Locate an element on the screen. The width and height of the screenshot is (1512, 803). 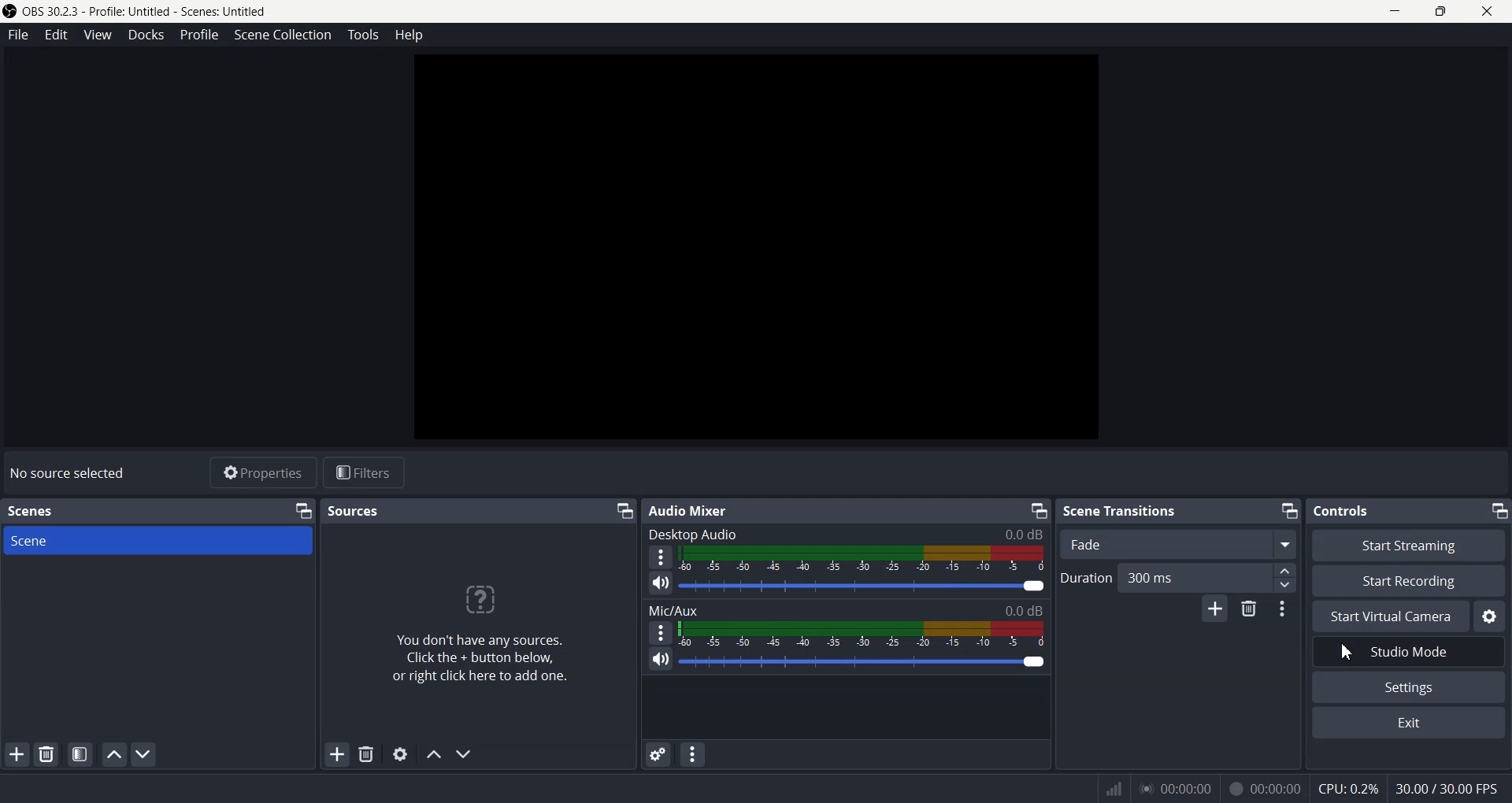
Settings is located at coordinates (1492, 617).